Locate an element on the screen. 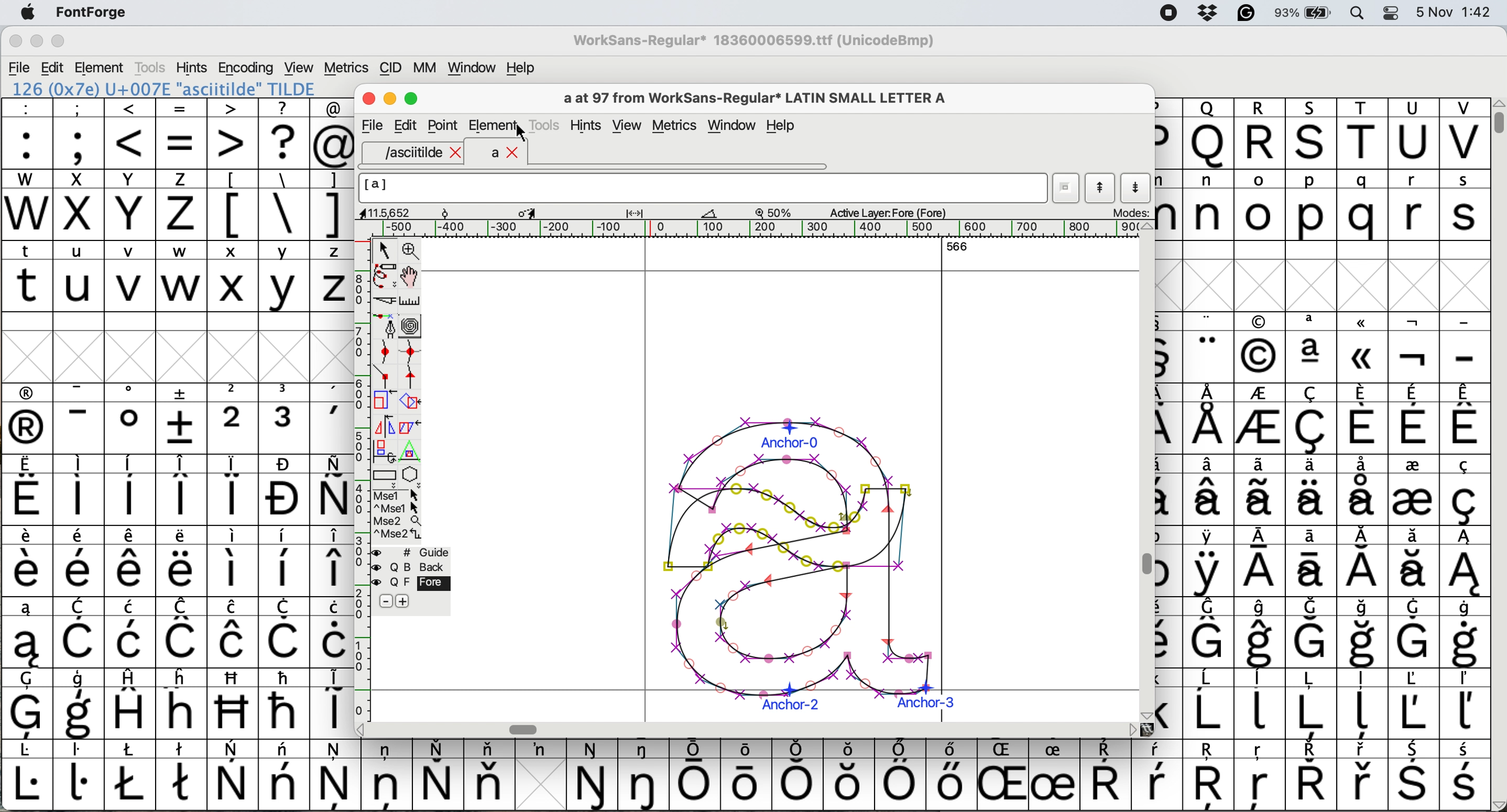 The height and width of the screenshot is (812, 1507). zoom scale is located at coordinates (777, 212).